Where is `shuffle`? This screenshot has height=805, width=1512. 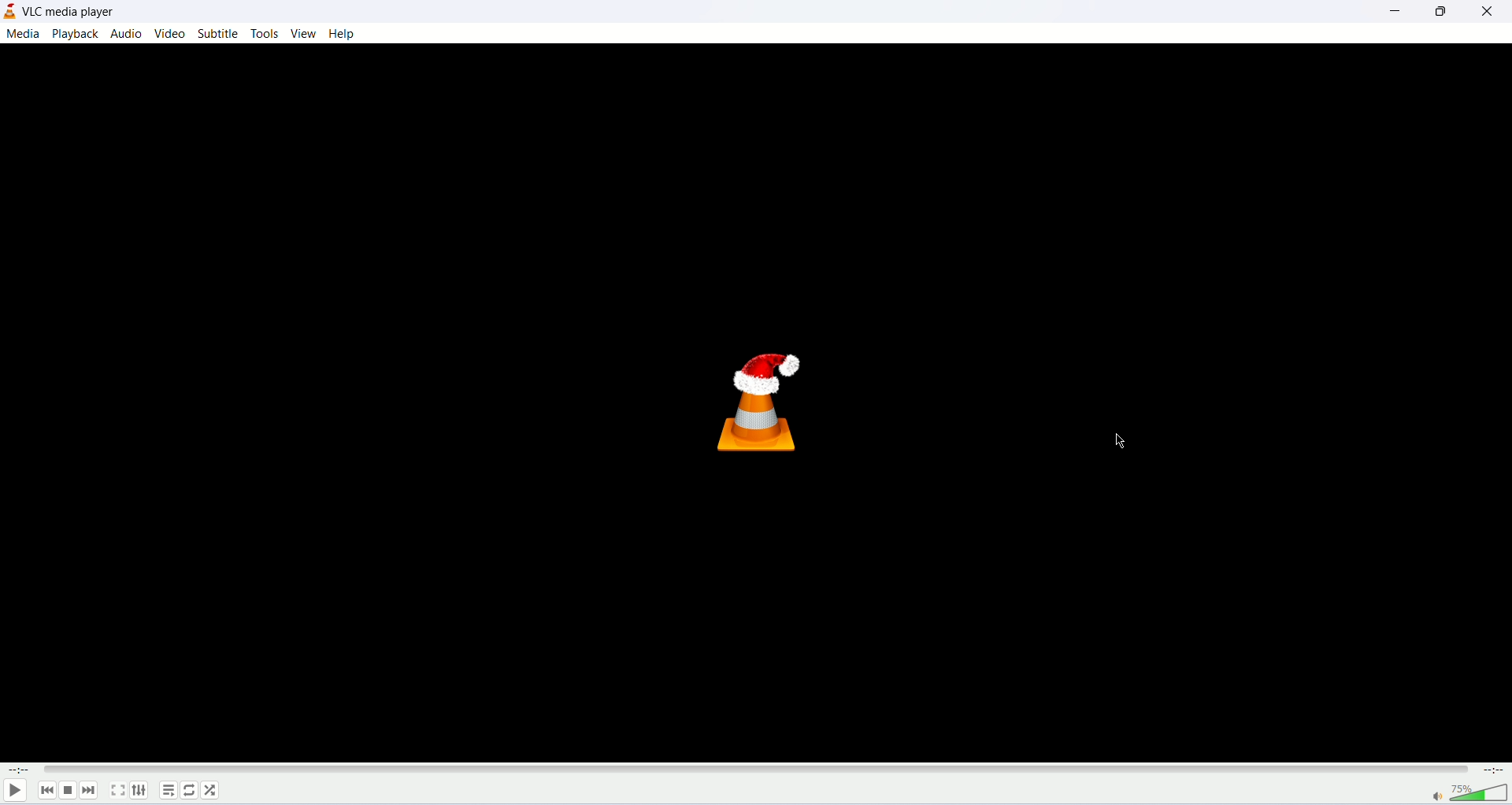 shuffle is located at coordinates (210, 789).